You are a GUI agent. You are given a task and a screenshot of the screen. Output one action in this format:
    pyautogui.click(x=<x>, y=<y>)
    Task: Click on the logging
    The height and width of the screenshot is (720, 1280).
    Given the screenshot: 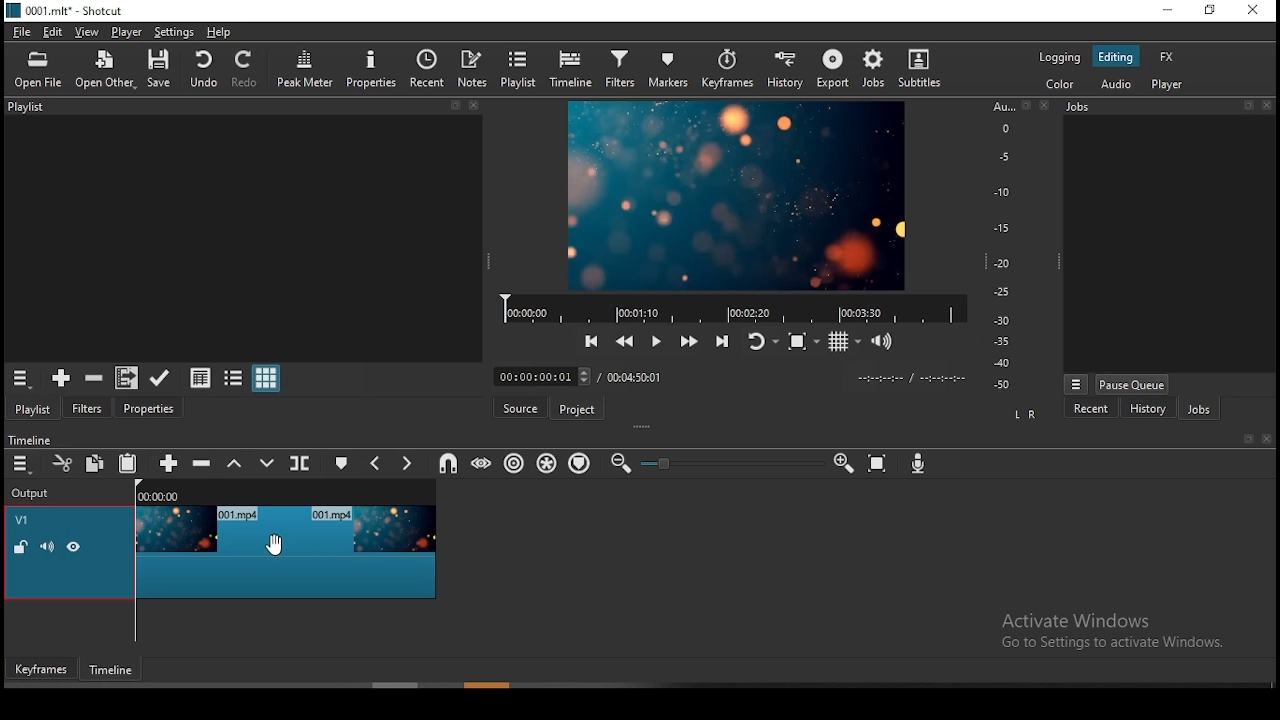 What is the action you would take?
    pyautogui.click(x=1056, y=58)
    